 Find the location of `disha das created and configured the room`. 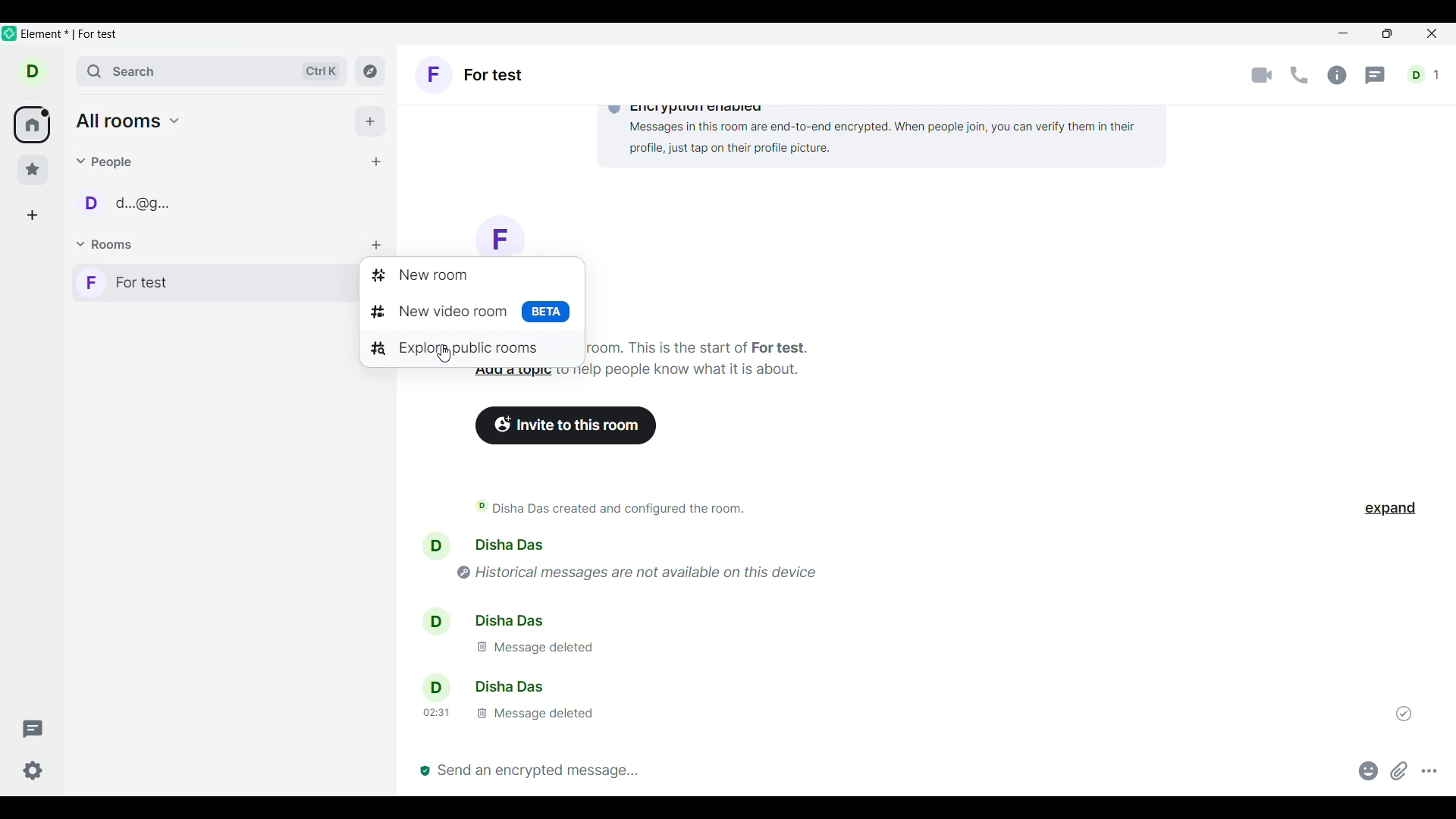

disha das created and configured the room is located at coordinates (610, 509).